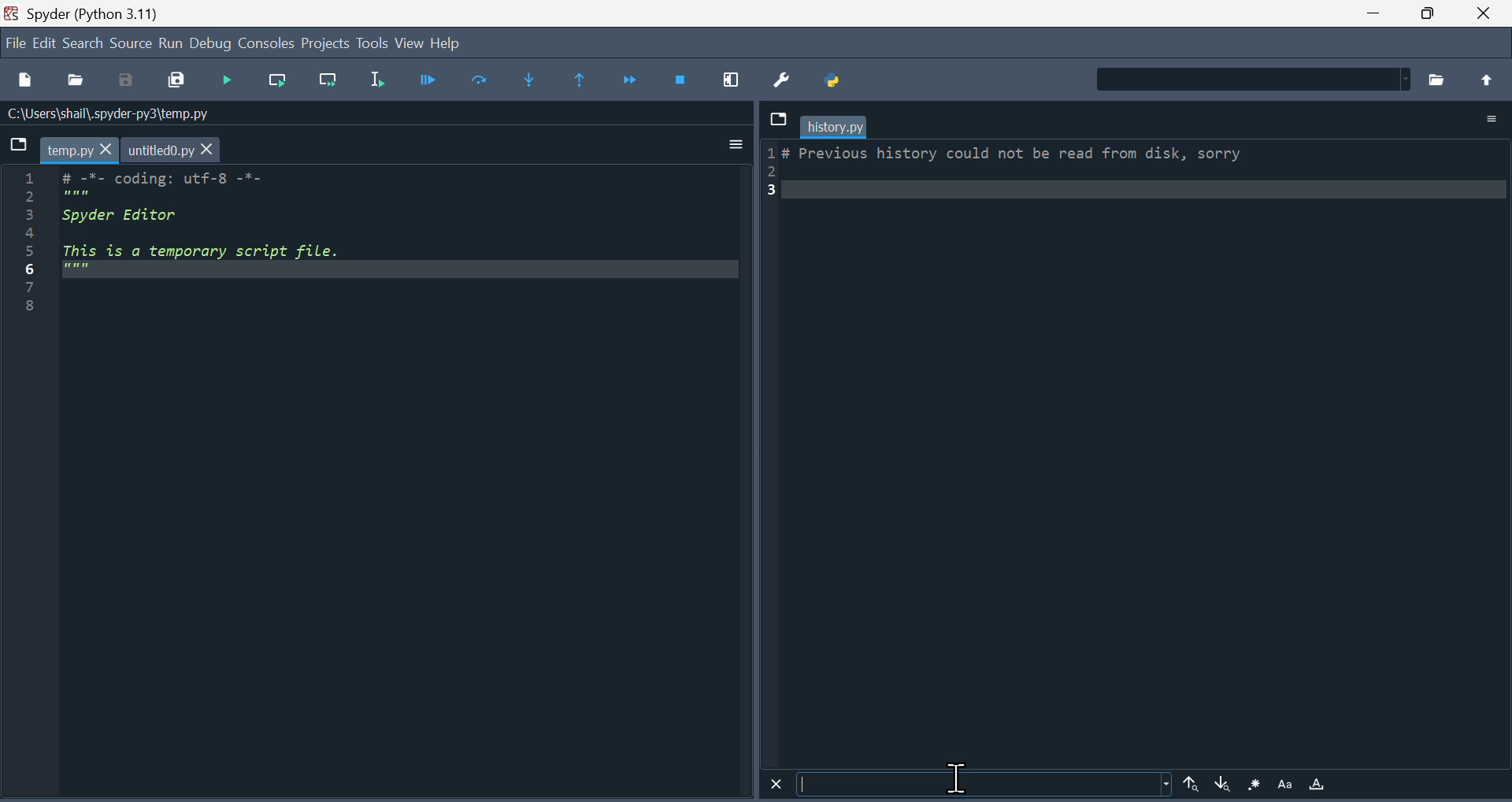 The height and width of the screenshot is (802, 1512). I want to click on Maximize, so click(1429, 13).